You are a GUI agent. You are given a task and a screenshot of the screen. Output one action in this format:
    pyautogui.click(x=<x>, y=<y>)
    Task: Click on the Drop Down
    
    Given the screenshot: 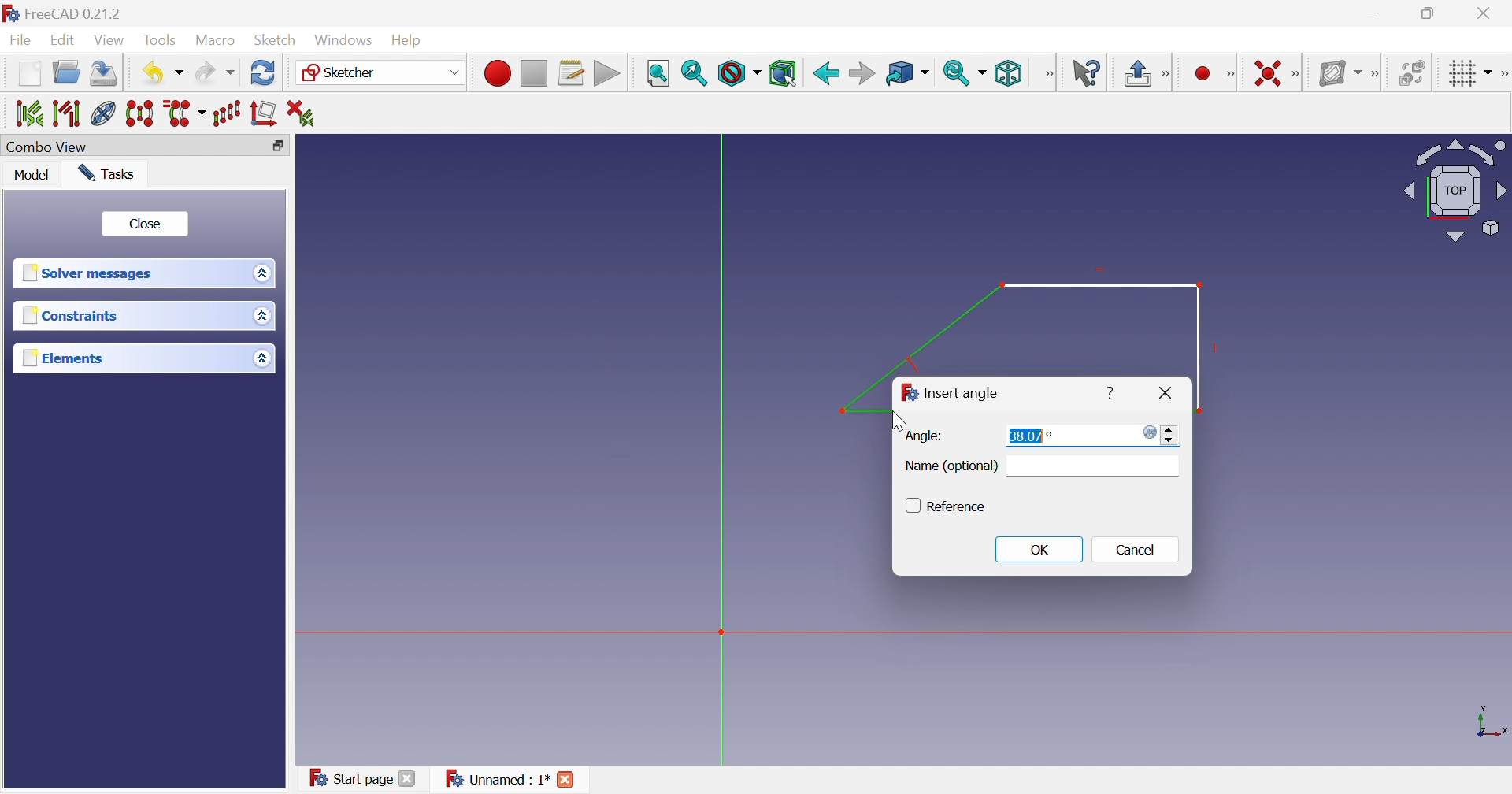 What is the action you would take?
    pyautogui.click(x=263, y=317)
    